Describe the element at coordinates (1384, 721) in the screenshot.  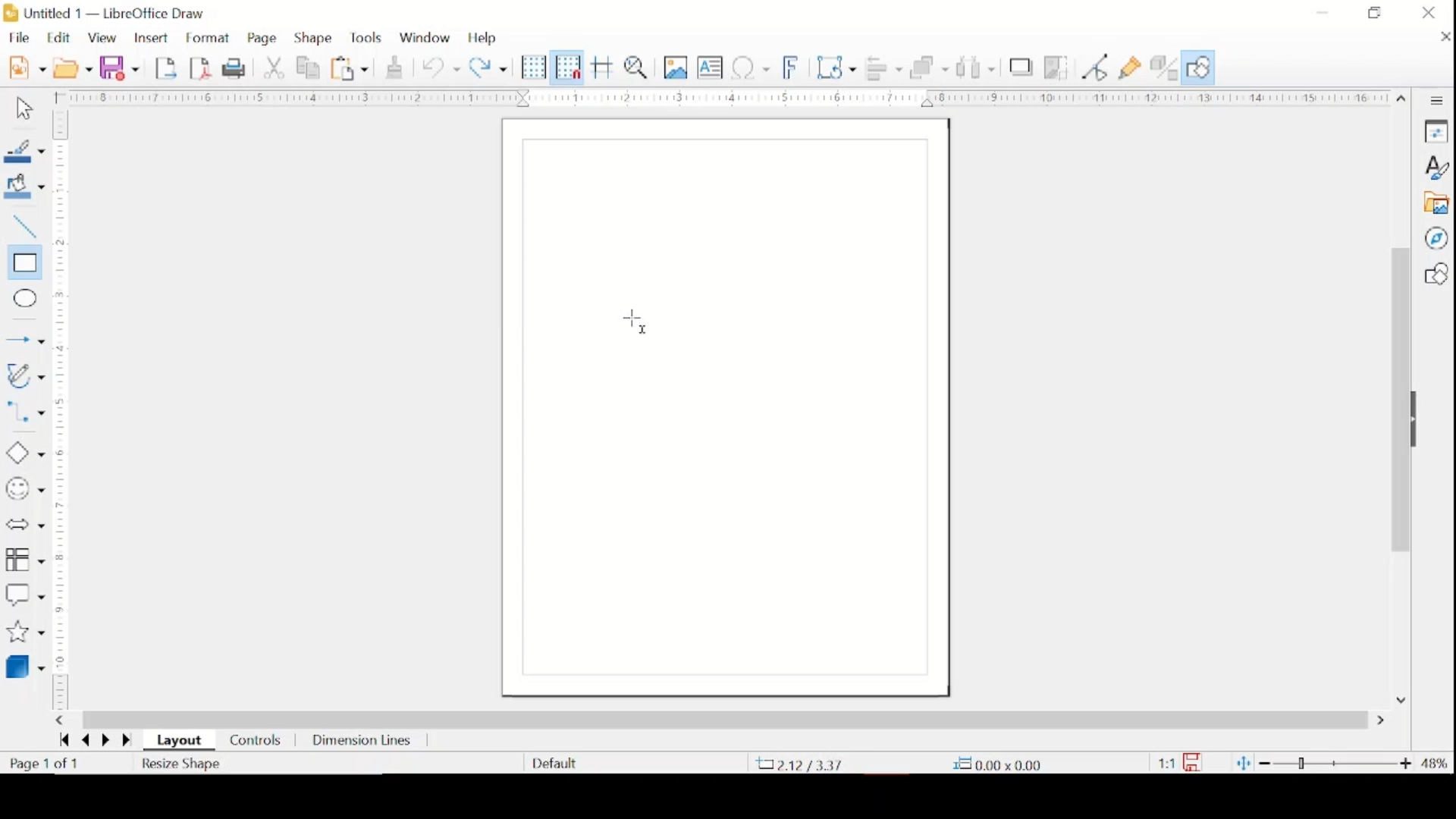
I see `scroll right arrow` at that location.